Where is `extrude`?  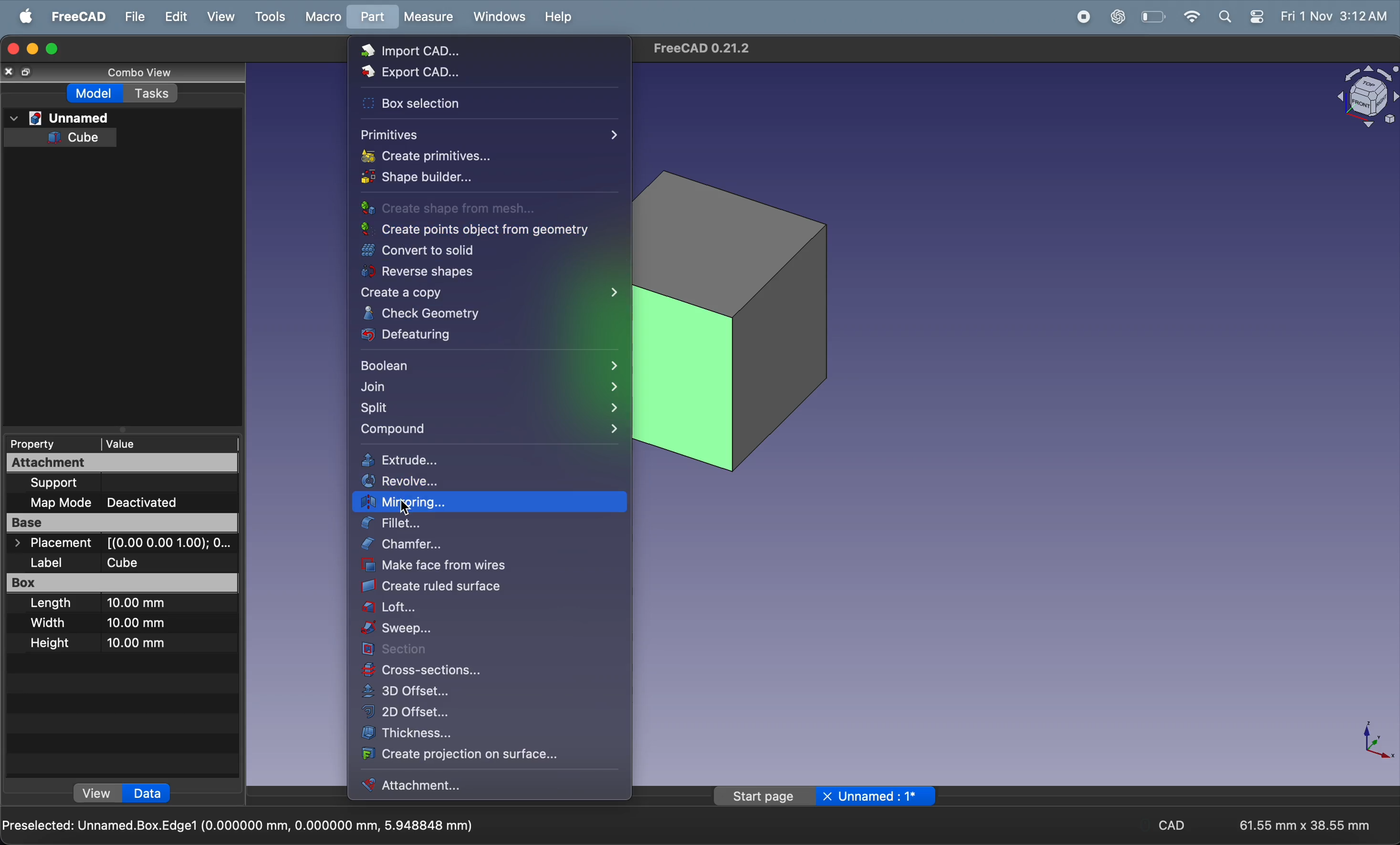
extrude is located at coordinates (488, 461).